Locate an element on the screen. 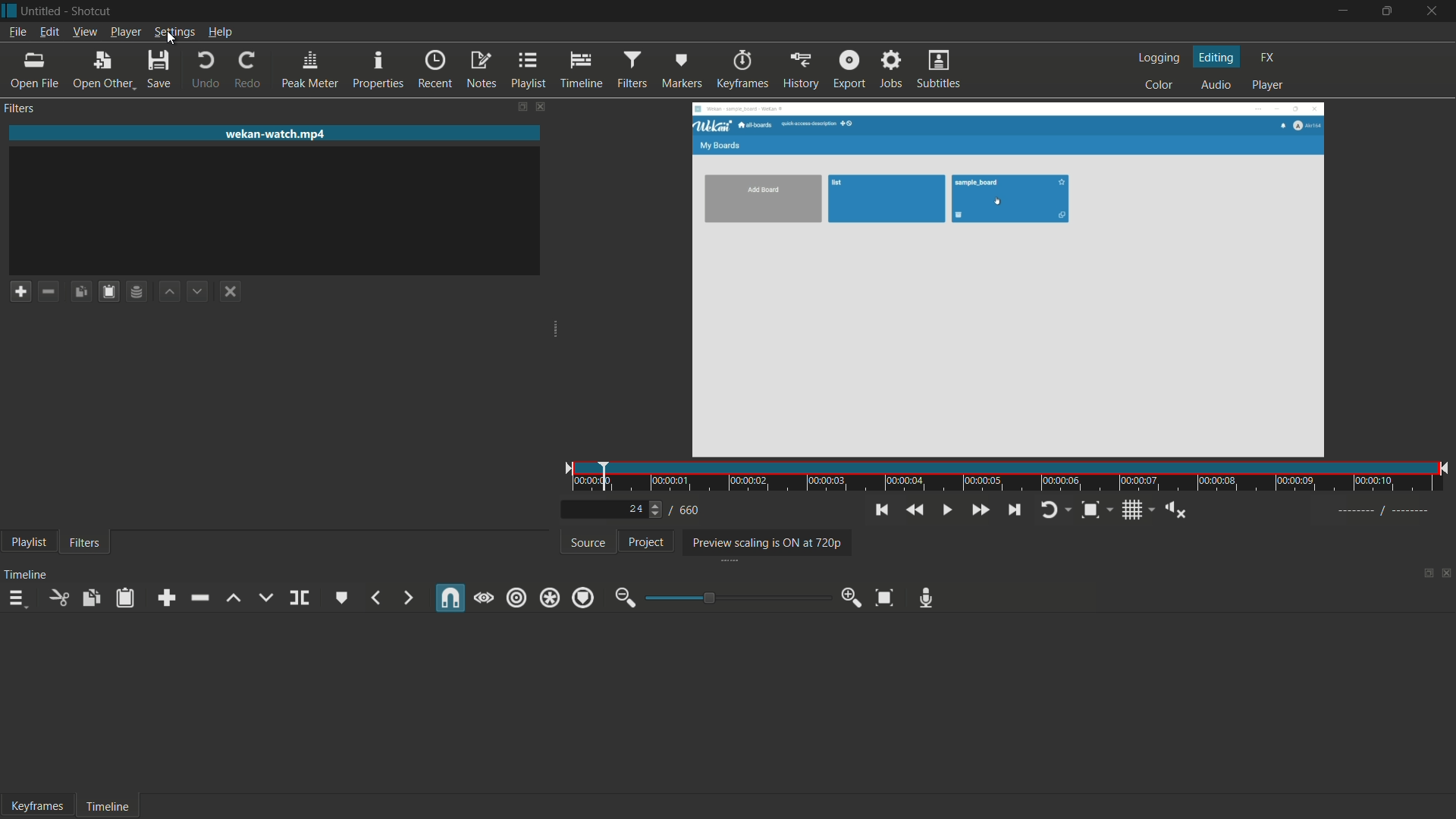  close app is located at coordinates (1434, 11).